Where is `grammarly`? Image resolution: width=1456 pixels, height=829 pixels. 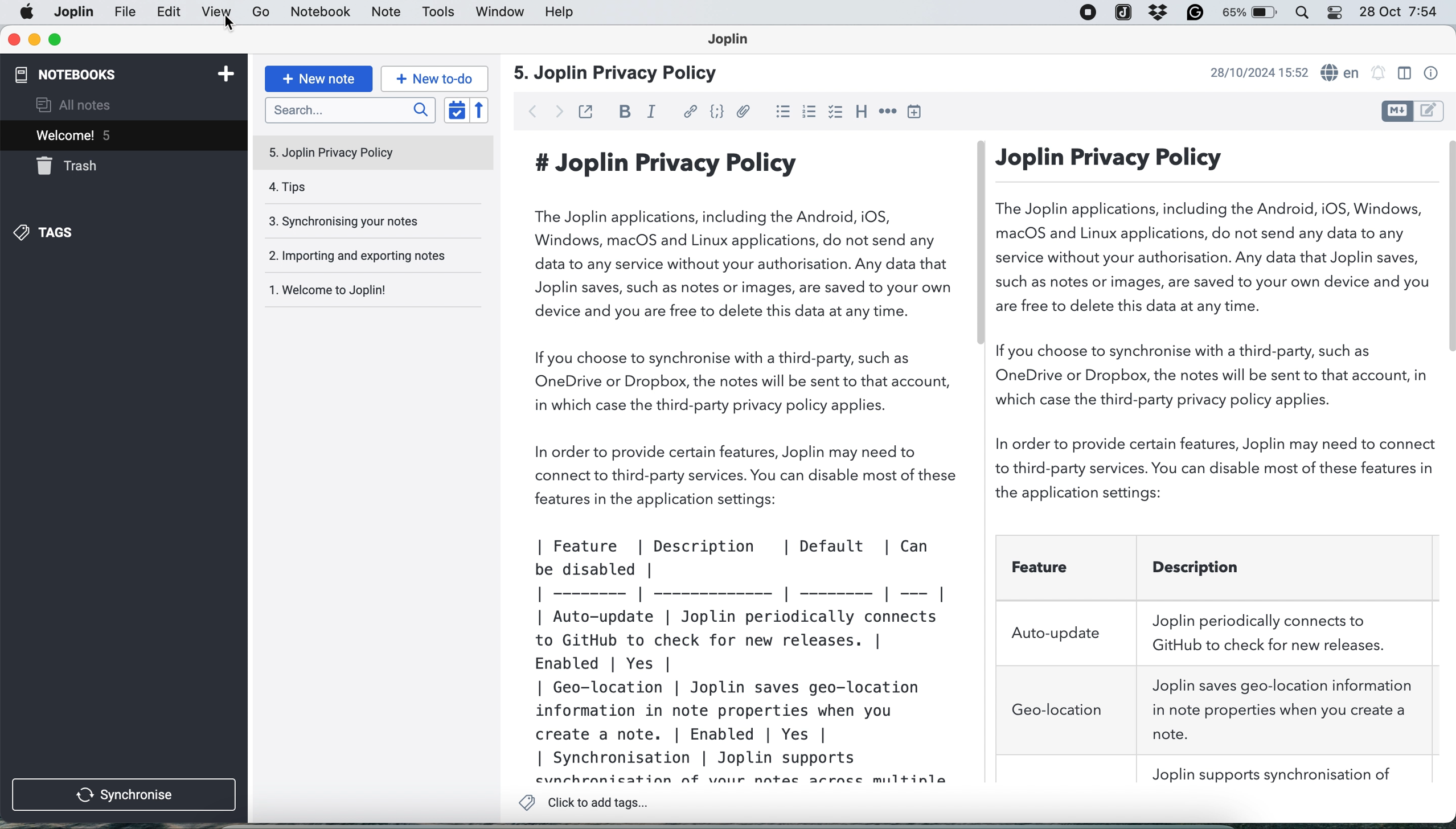
grammarly is located at coordinates (1195, 14).